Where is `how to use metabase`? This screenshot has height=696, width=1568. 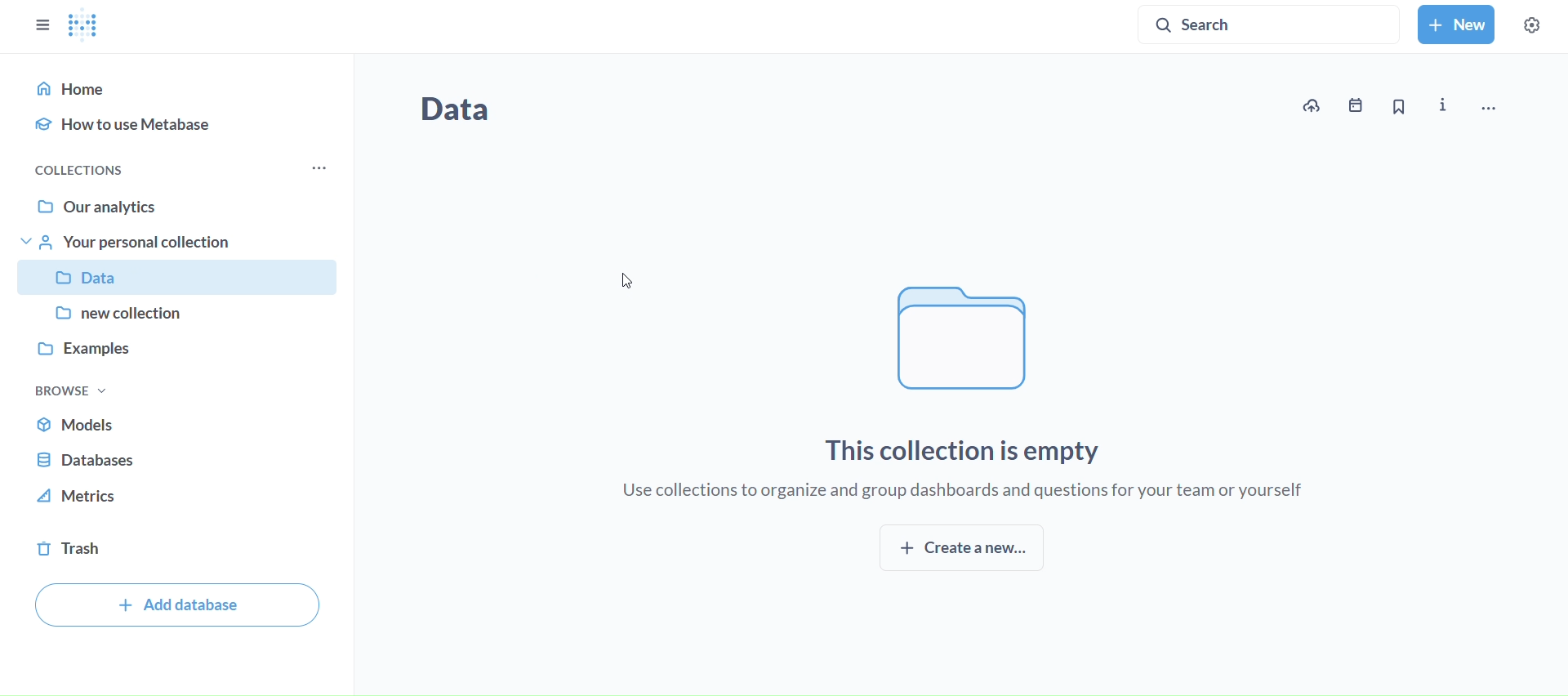
how to use metabase is located at coordinates (179, 122).